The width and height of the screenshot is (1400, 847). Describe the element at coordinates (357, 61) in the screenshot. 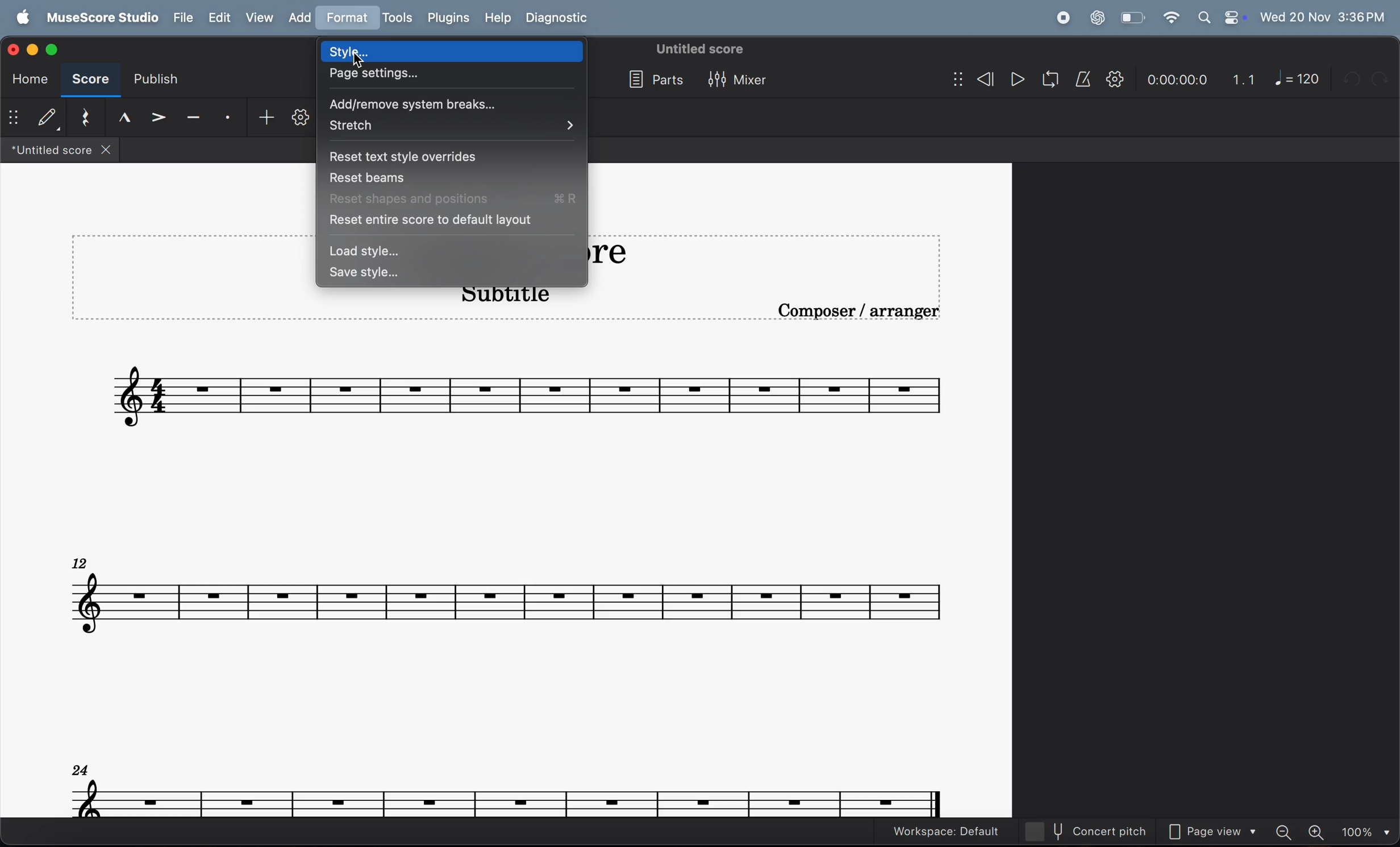

I see `cursor` at that location.